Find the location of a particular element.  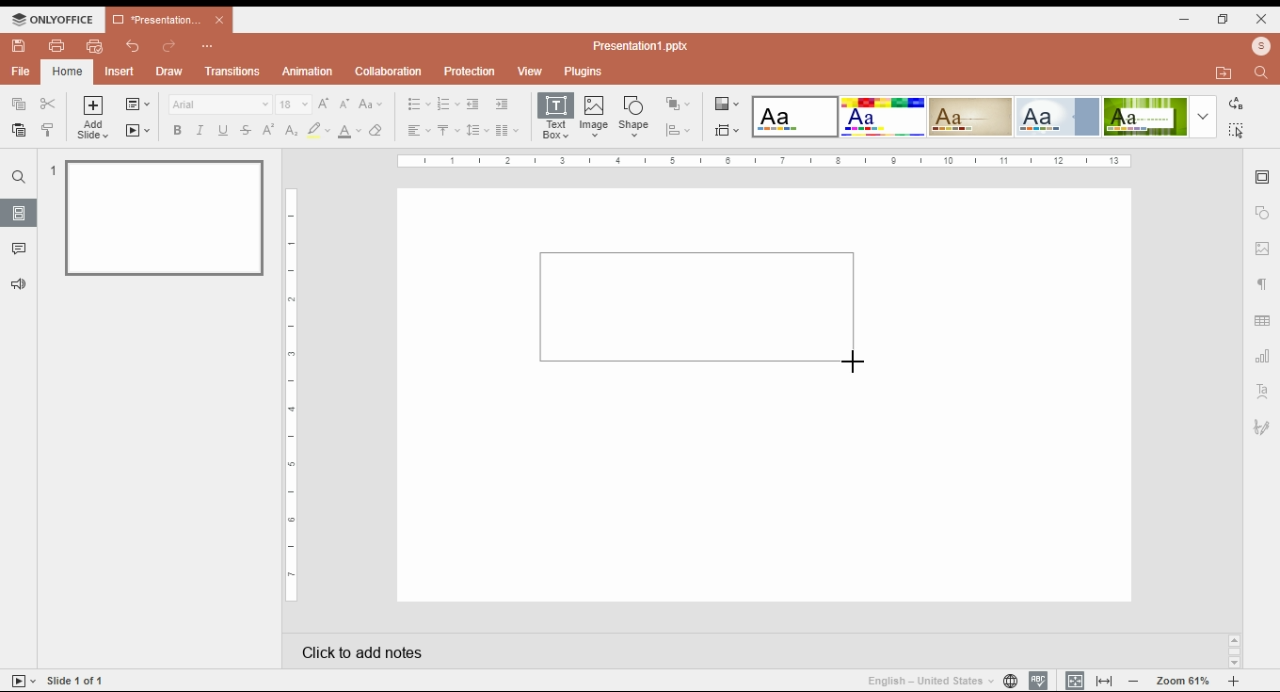

horizontal alignment is located at coordinates (417, 131).